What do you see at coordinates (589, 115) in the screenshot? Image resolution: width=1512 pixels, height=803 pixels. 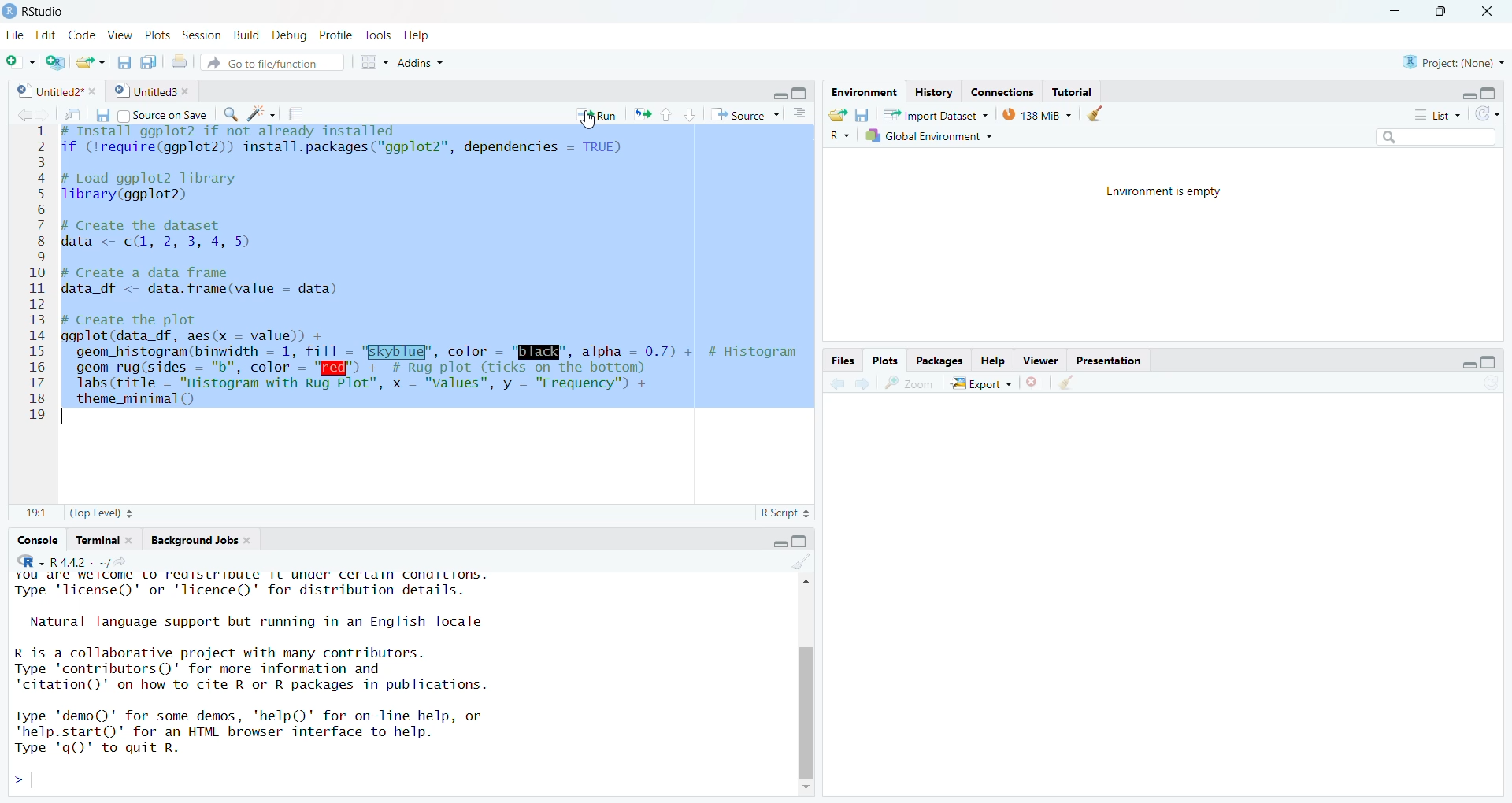 I see `Run` at bounding box center [589, 115].